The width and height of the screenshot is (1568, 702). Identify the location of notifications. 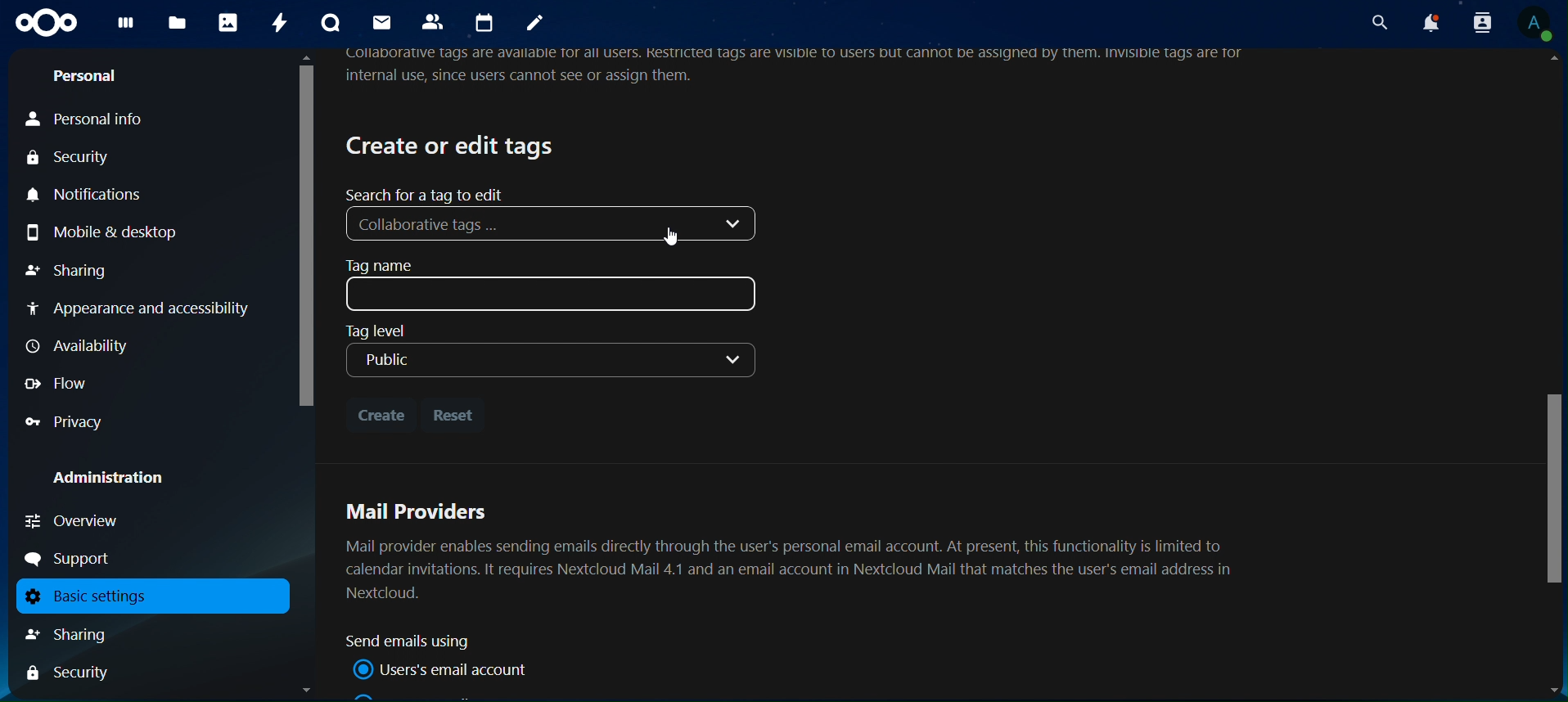
(1428, 23).